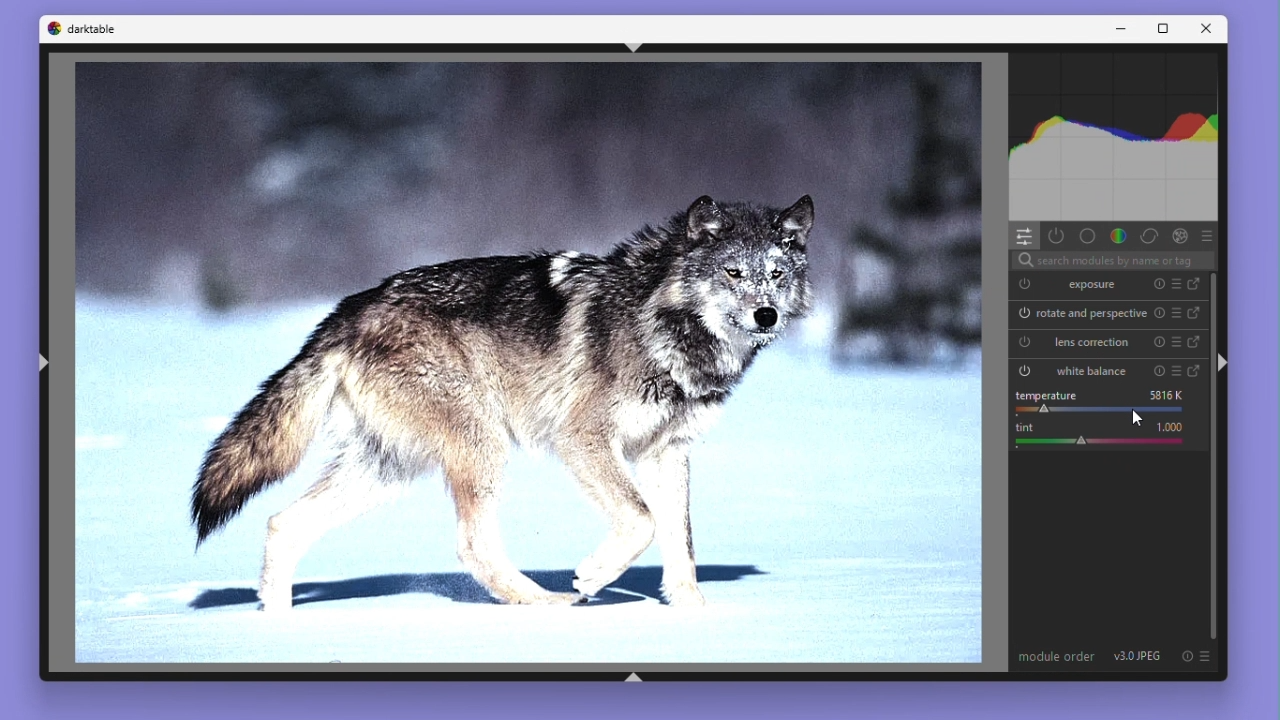 The image size is (1280, 720). Describe the element at coordinates (43, 366) in the screenshot. I see `Ctrl + shift +l` at that location.